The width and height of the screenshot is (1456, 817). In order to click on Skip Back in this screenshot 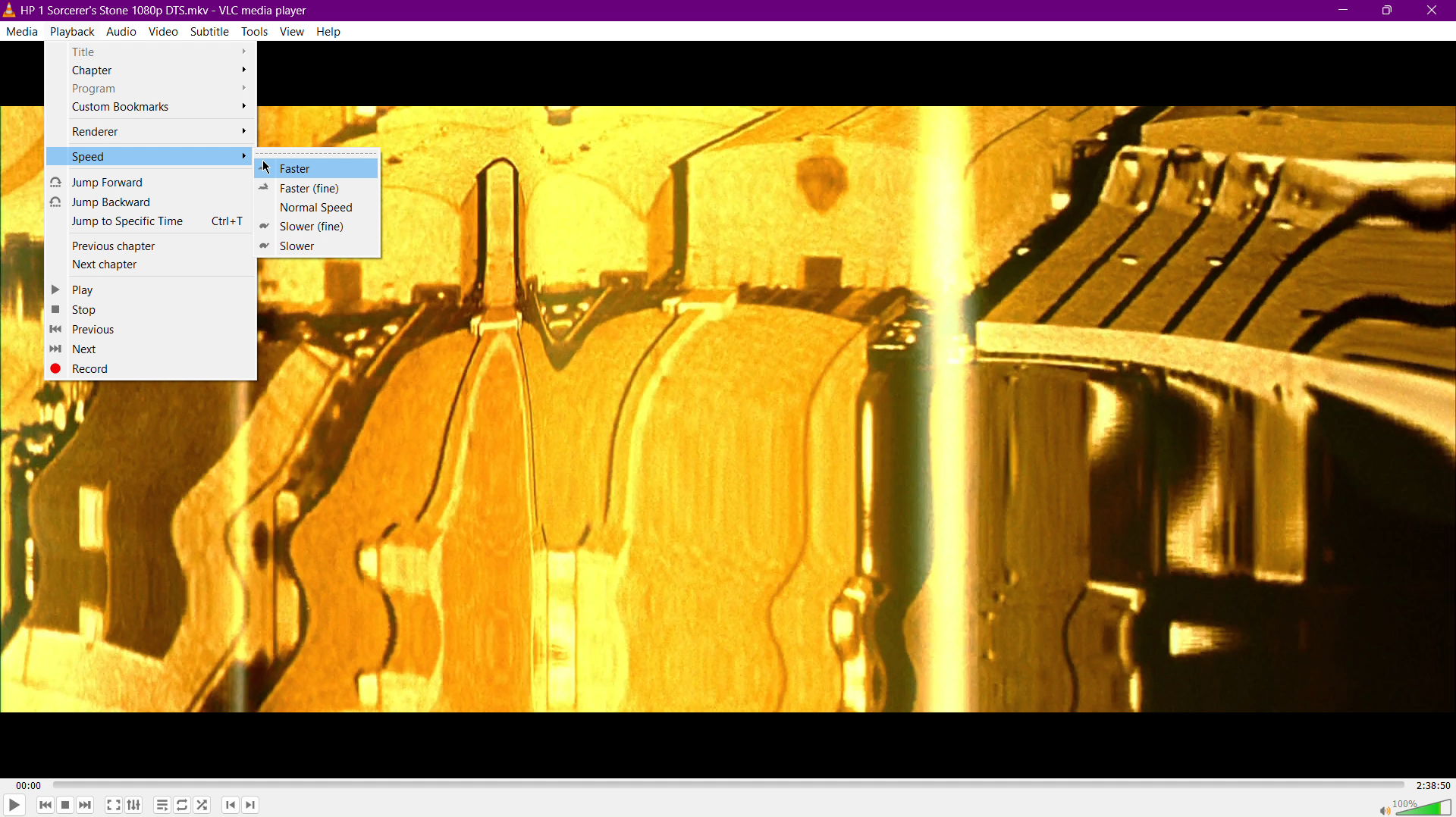, I will do `click(44, 805)`.